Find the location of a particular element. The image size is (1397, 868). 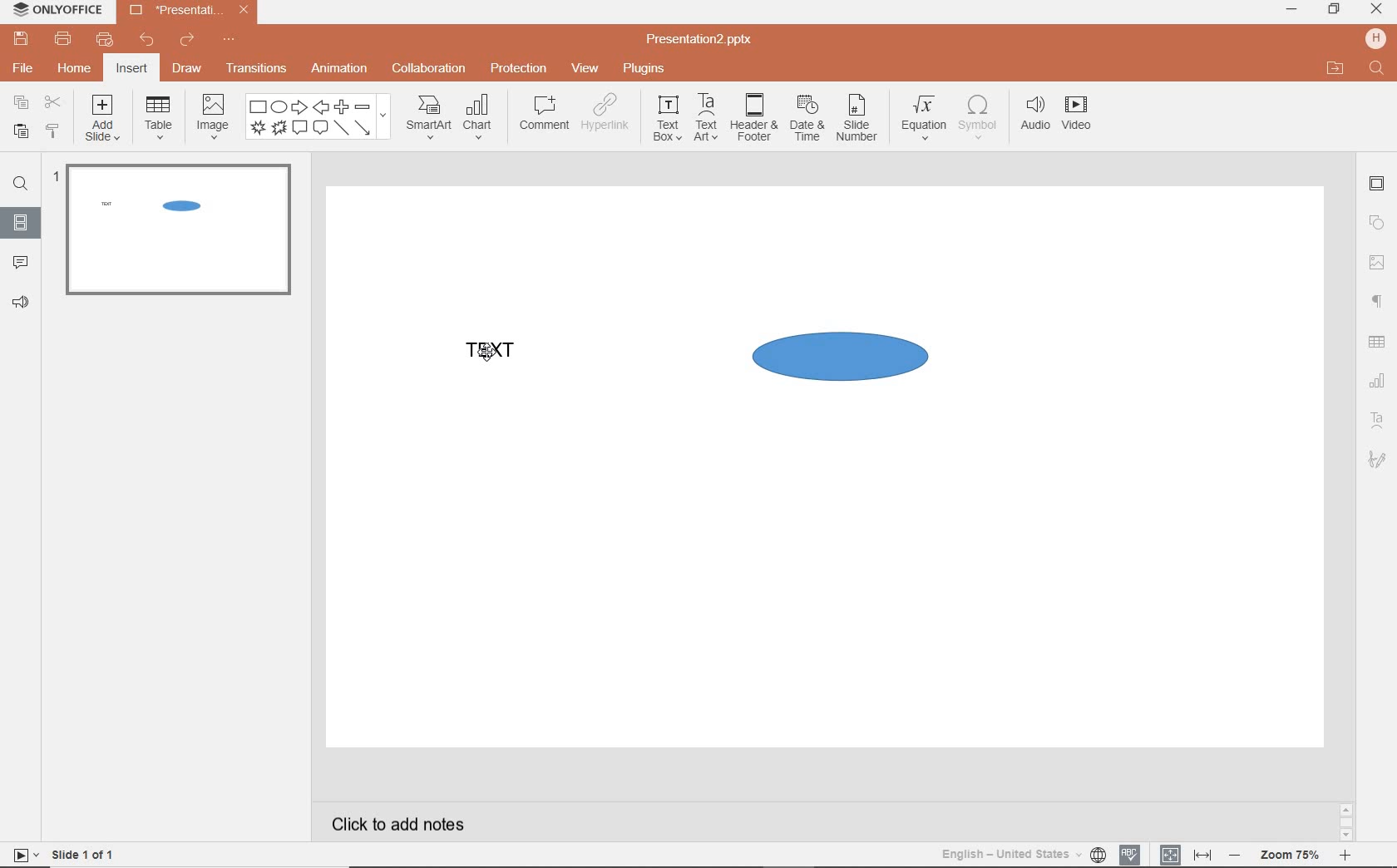

smartart is located at coordinates (428, 116).